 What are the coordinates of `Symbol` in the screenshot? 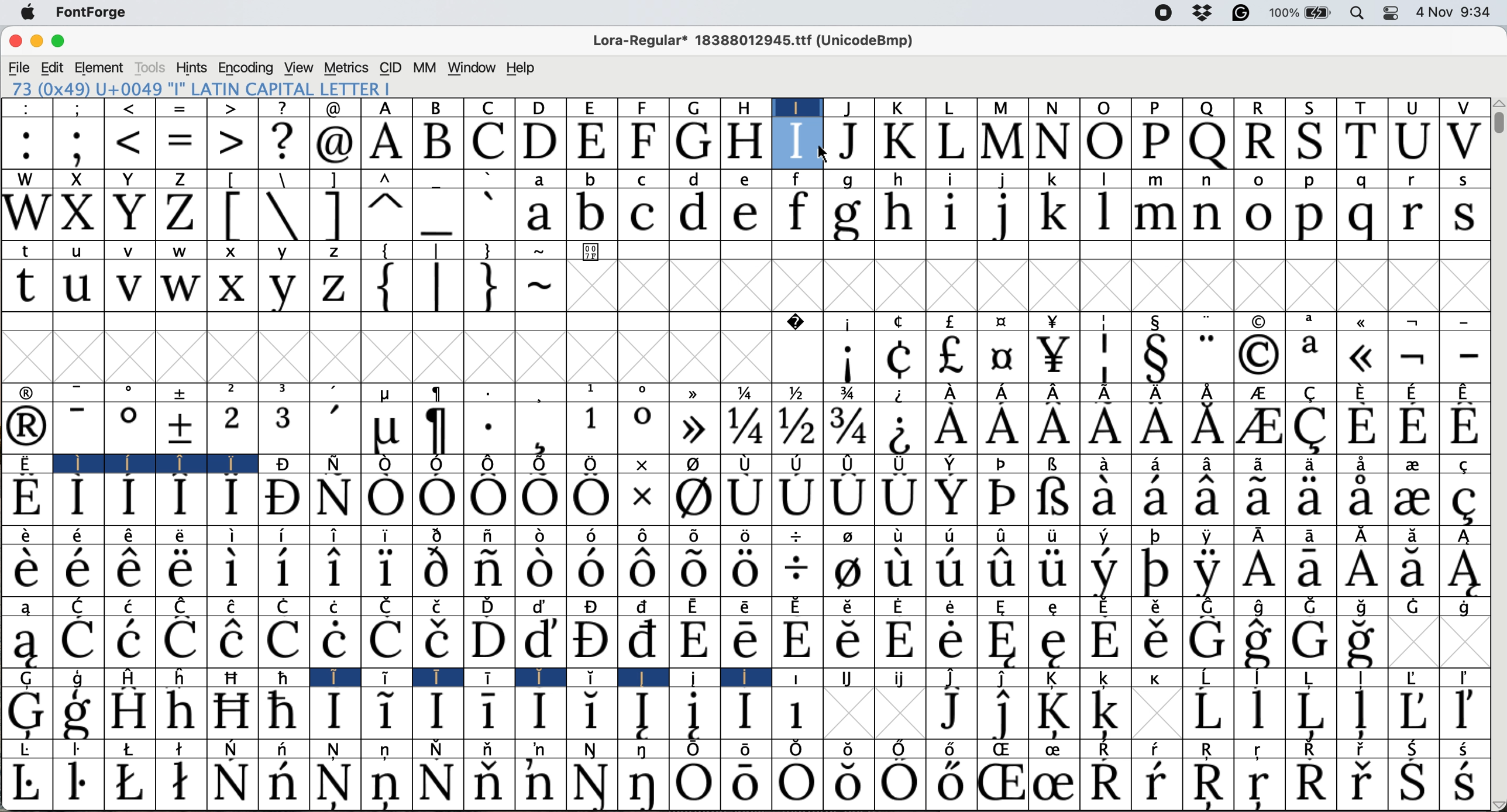 It's located at (849, 606).